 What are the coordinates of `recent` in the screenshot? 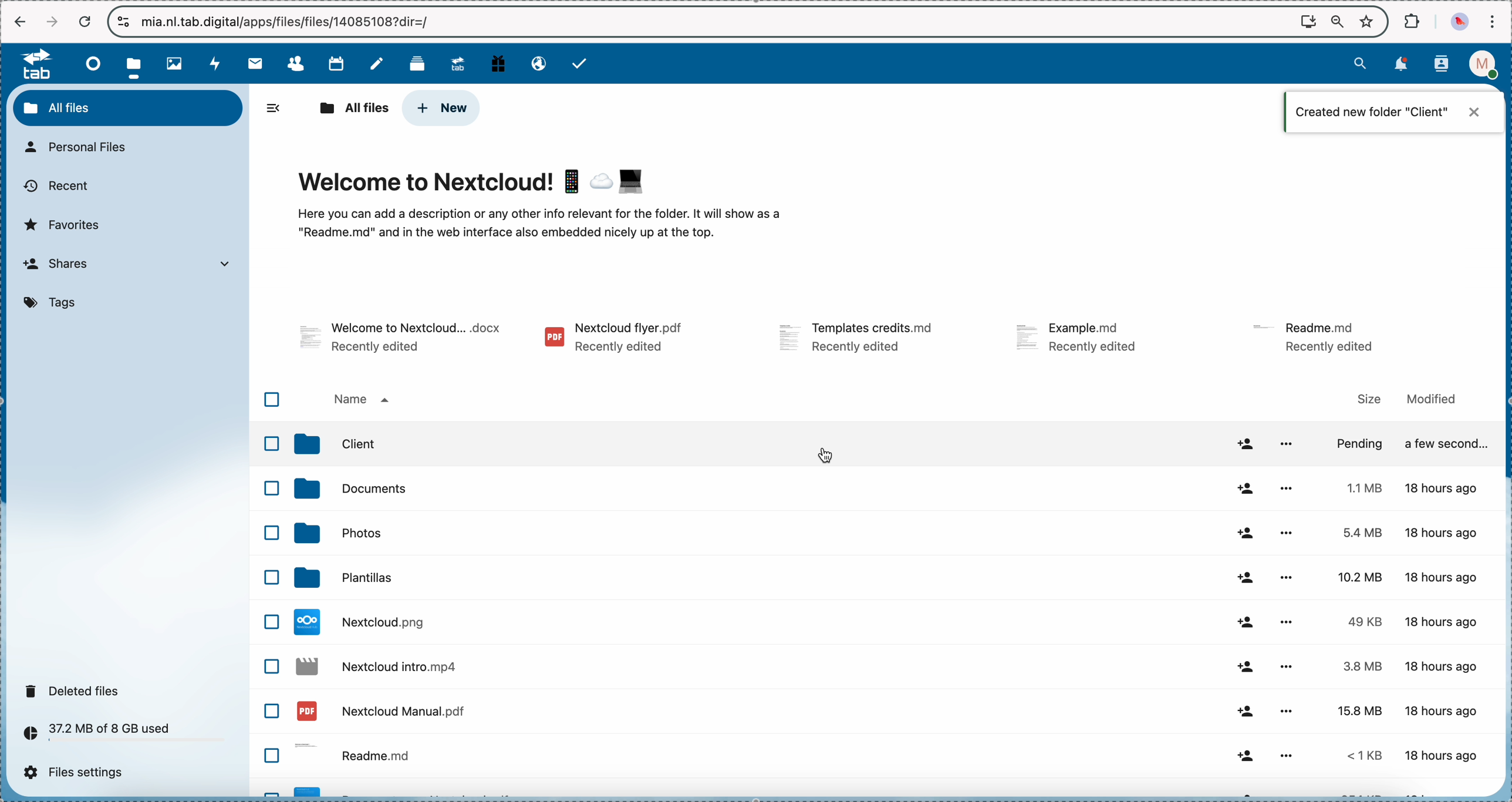 It's located at (55, 187).